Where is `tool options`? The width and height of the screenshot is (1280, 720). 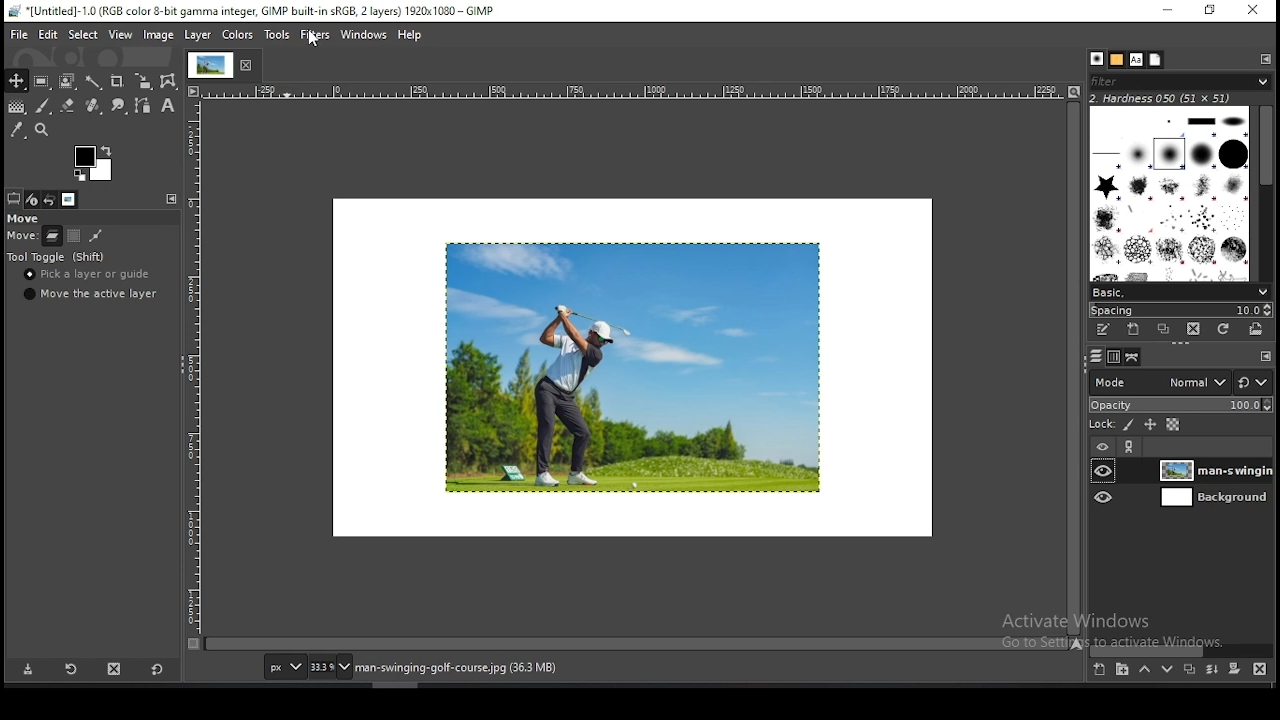 tool options is located at coordinates (14, 198).